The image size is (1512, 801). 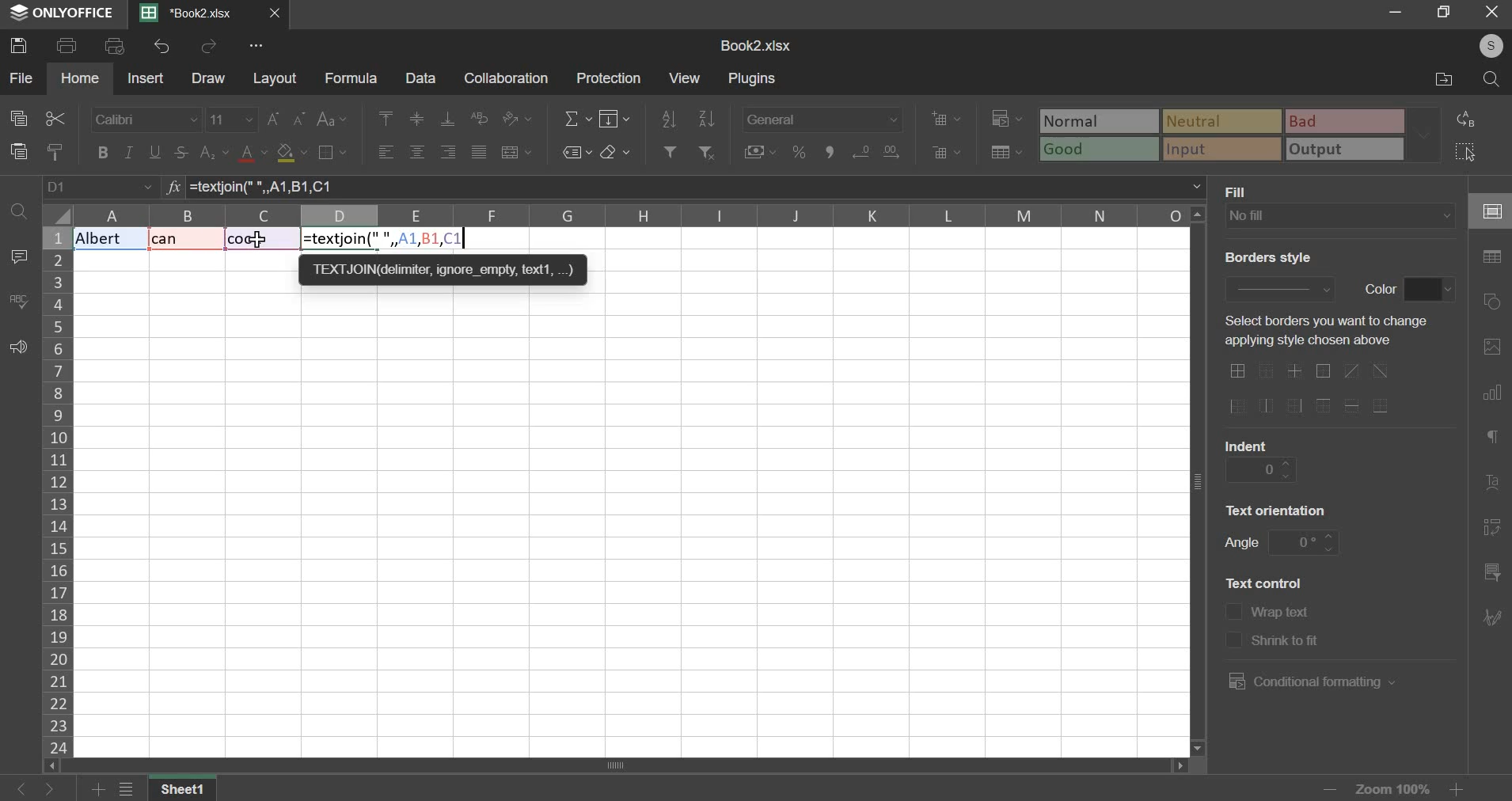 I want to click on zoom, so click(x=1391, y=787).